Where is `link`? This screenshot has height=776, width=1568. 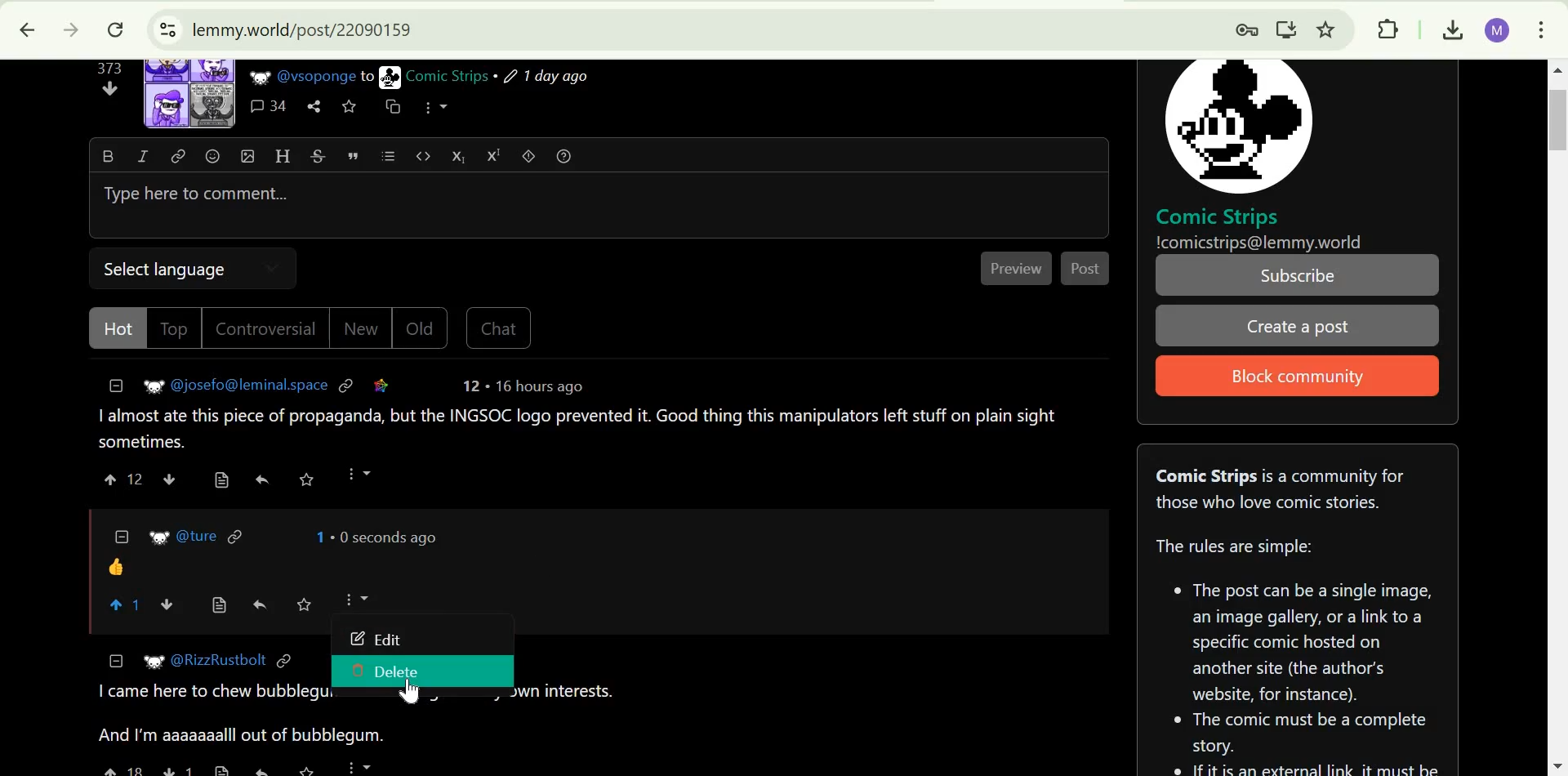
link is located at coordinates (283, 662).